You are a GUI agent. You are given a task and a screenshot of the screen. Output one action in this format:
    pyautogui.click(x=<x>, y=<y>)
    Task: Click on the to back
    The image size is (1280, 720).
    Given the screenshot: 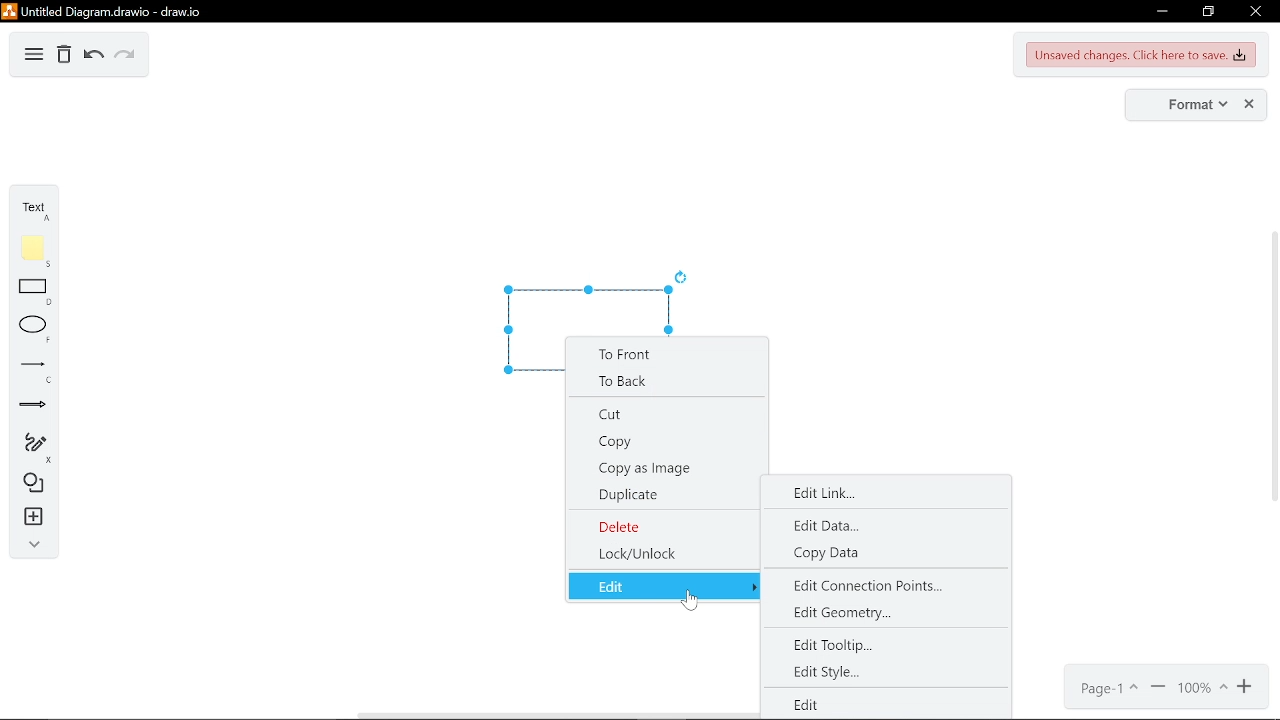 What is the action you would take?
    pyautogui.click(x=665, y=382)
    